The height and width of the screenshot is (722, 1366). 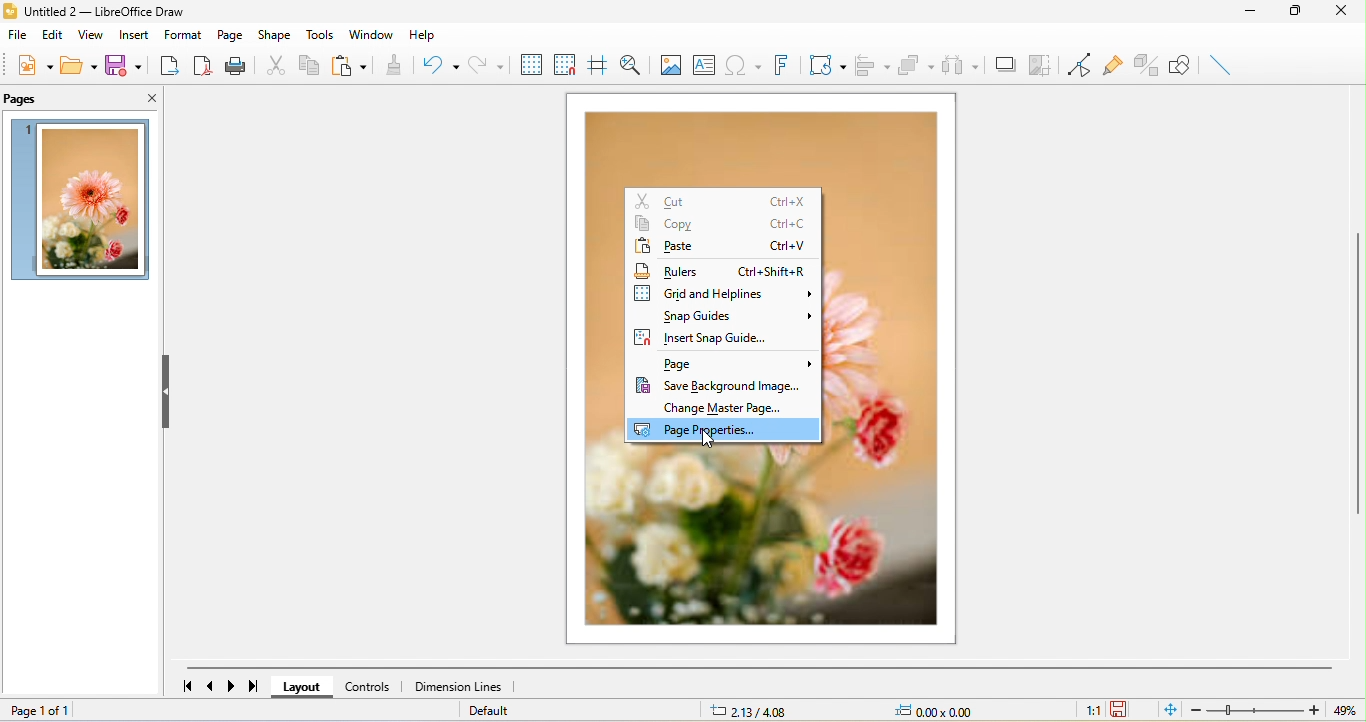 I want to click on paste, so click(x=349, y=65).